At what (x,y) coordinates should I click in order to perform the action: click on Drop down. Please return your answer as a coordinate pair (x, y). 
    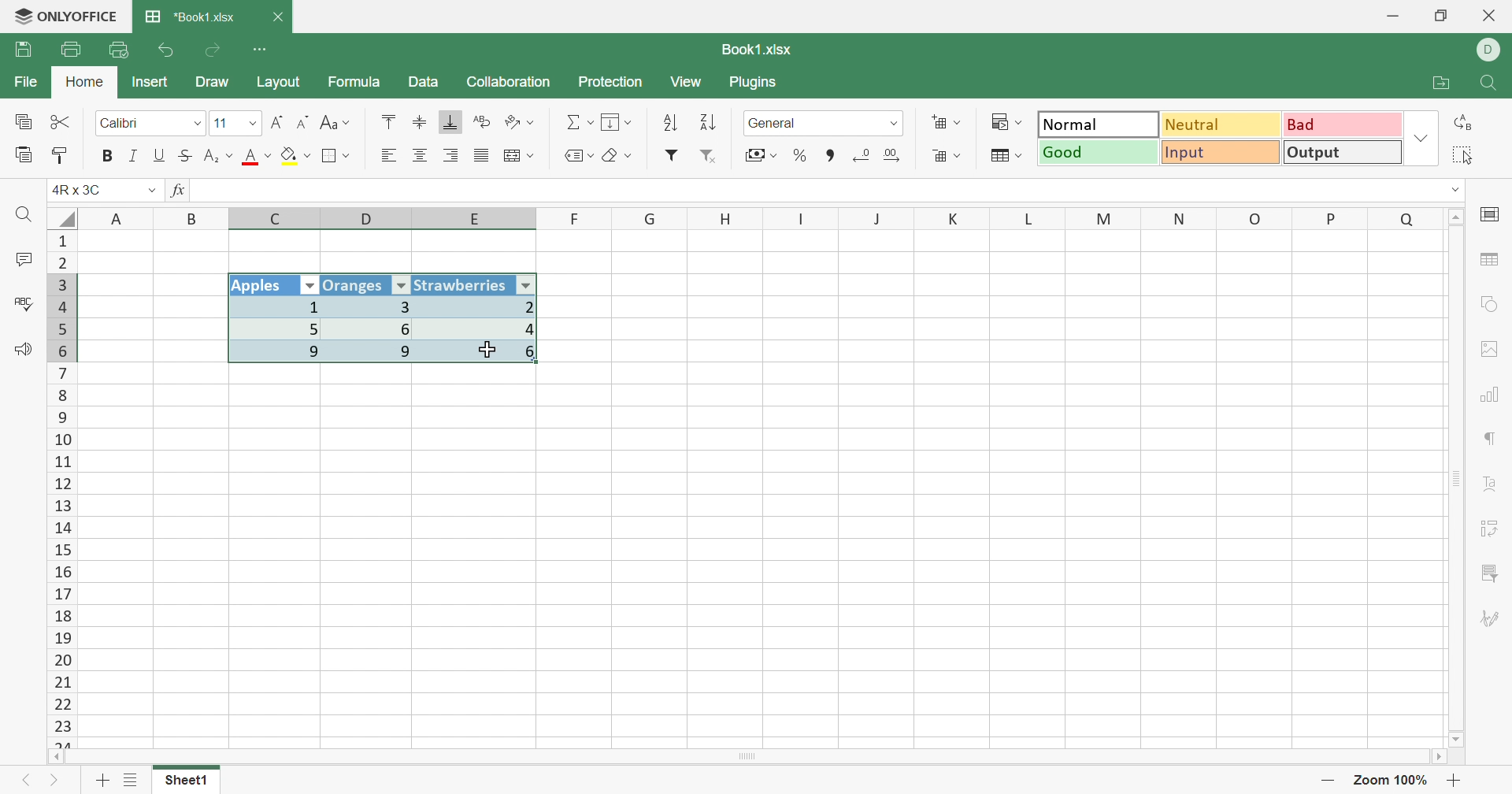
    Looking at the image, I should click on (147, 191).